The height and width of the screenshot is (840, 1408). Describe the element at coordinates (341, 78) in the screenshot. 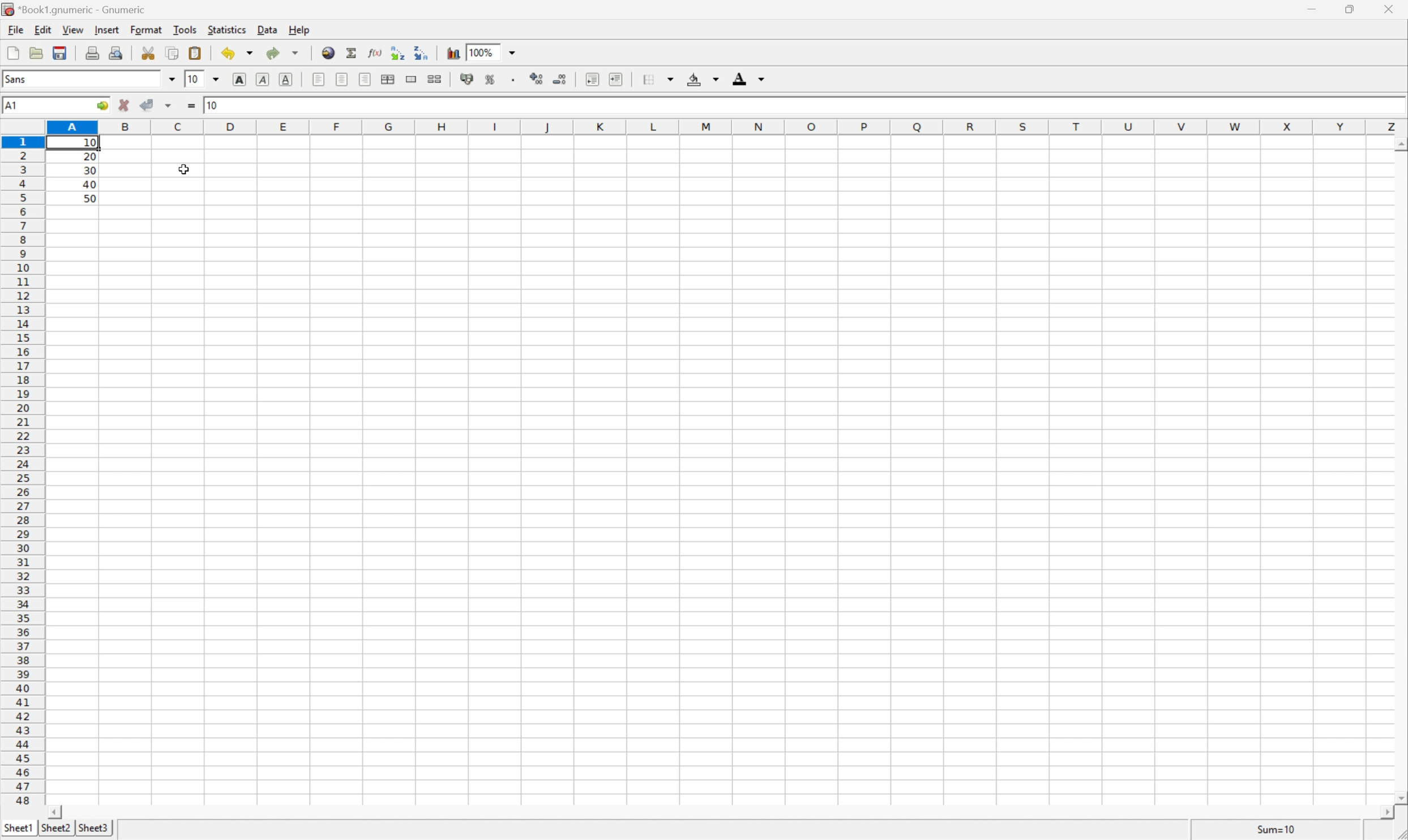

I see `center horizontally` at that location.